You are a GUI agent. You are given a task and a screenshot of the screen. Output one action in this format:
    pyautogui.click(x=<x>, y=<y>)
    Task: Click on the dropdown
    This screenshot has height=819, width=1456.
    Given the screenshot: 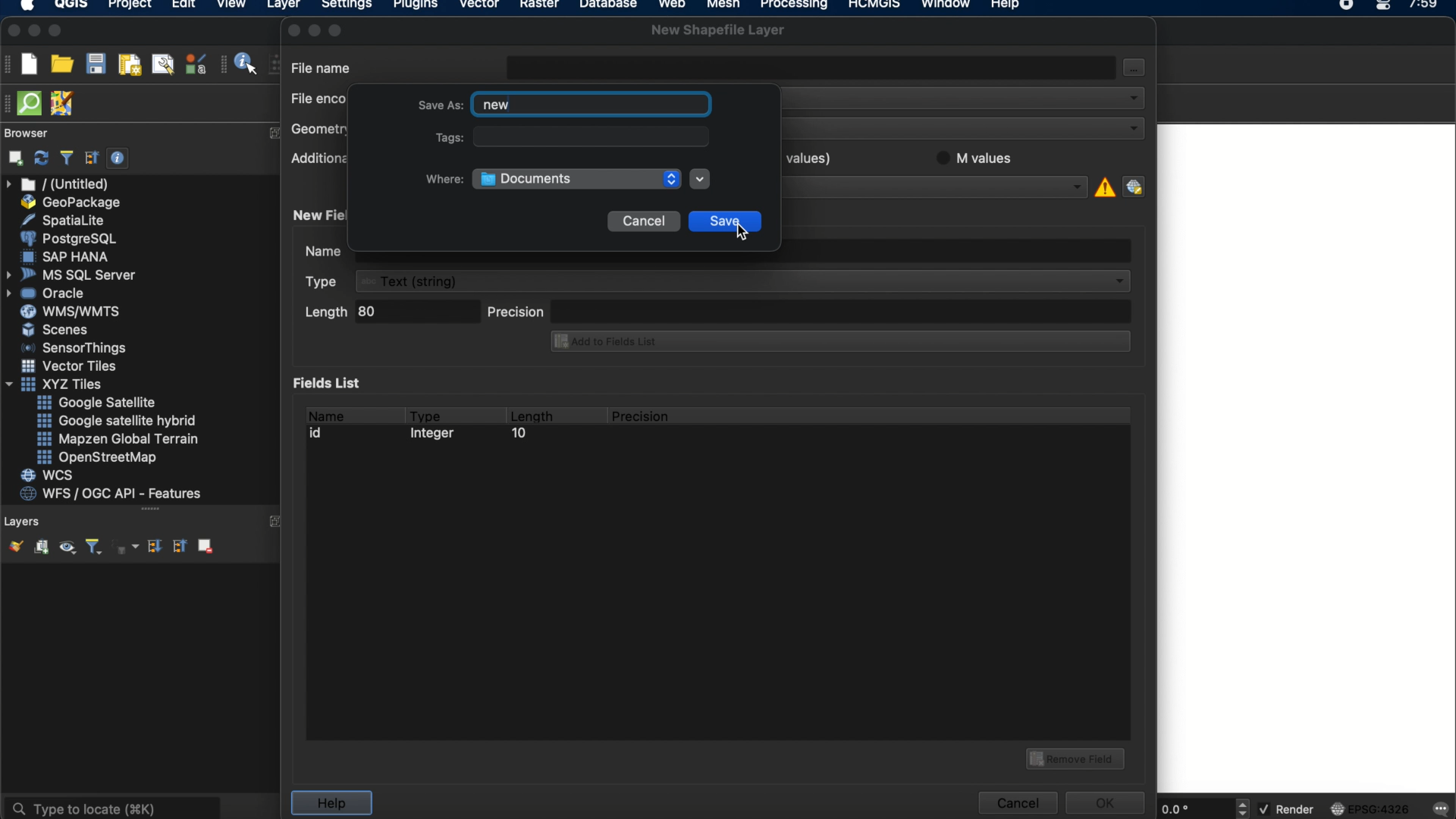 What is the action you would take?
    pyautogui.click(x=700, y=179)
    